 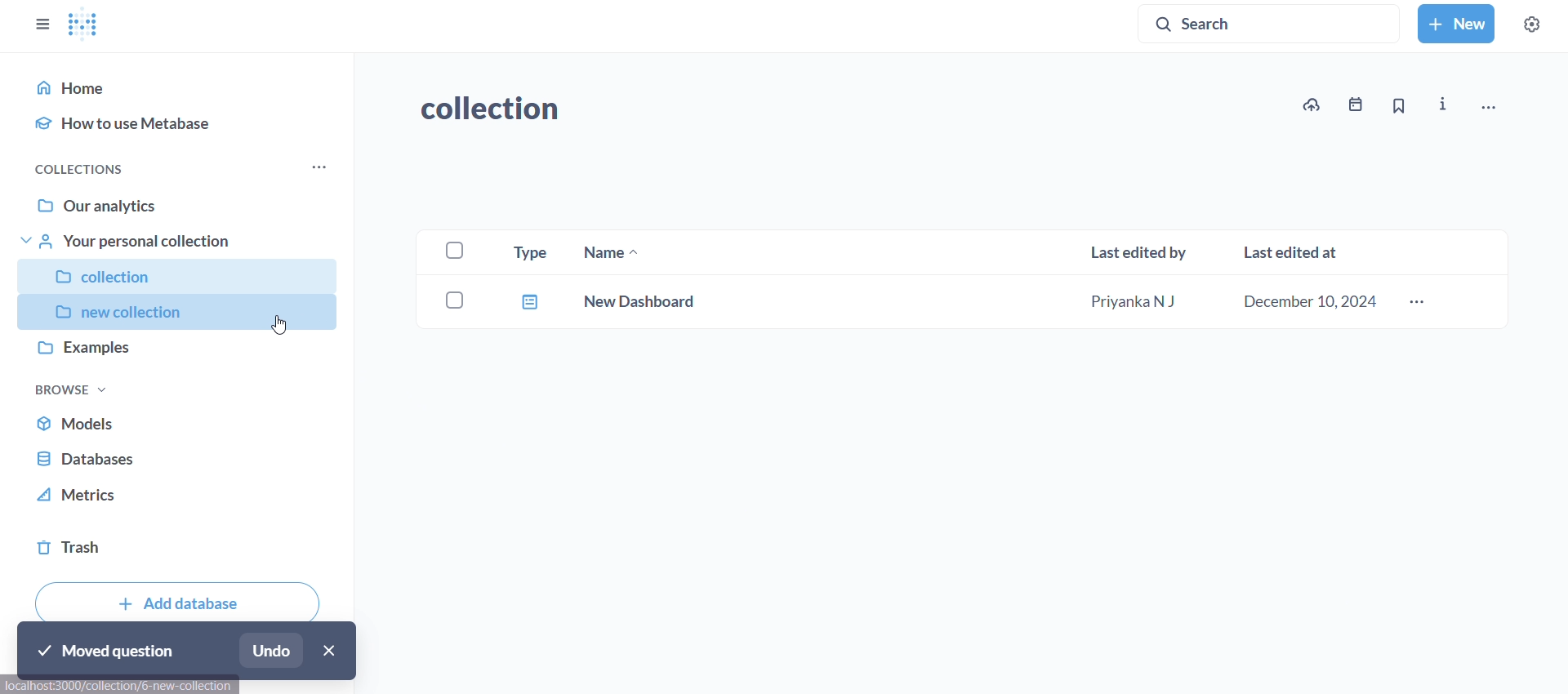 I want to click on models, so click(x=183, y=425).